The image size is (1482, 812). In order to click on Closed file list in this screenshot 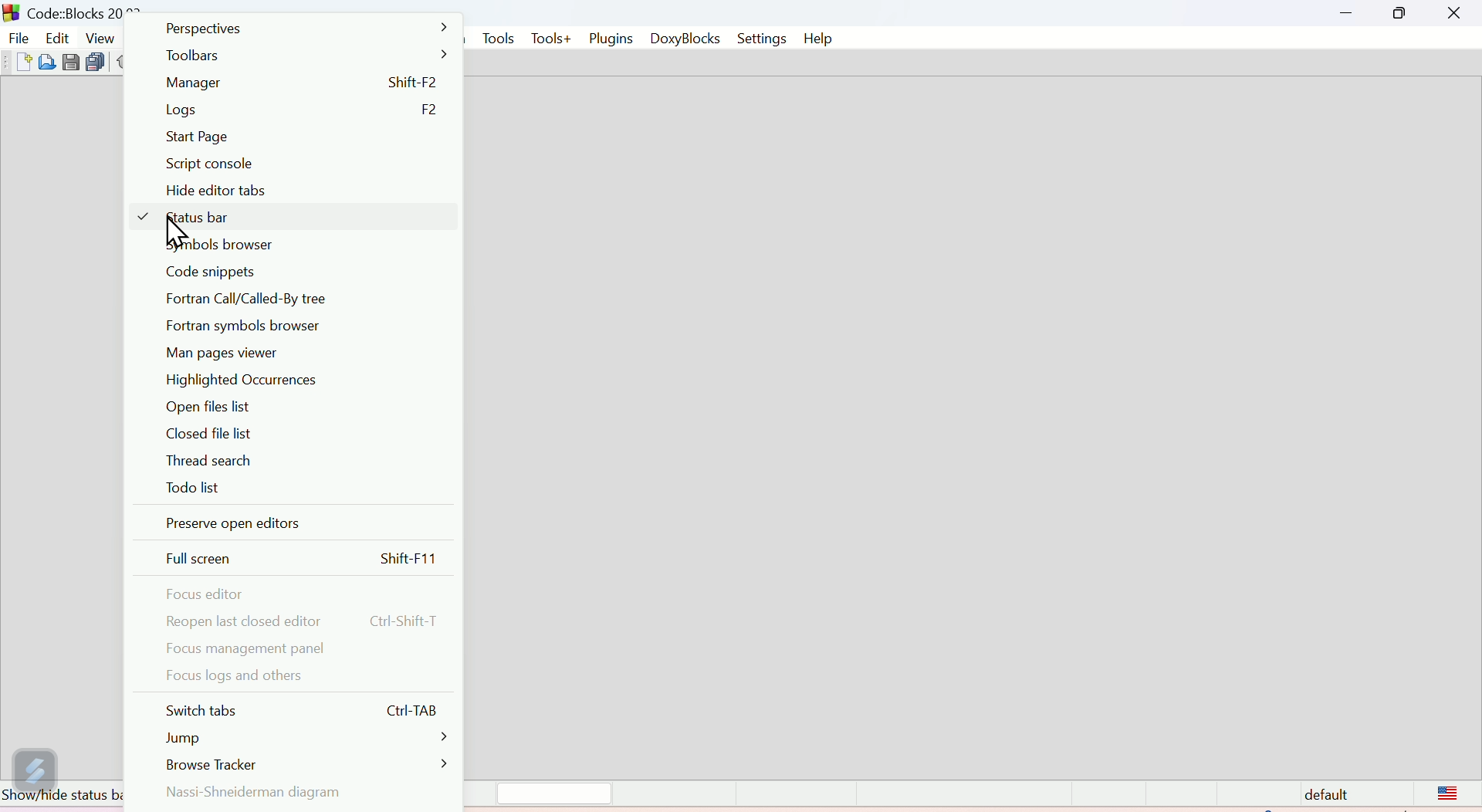, I will do `click(211, 435)`.